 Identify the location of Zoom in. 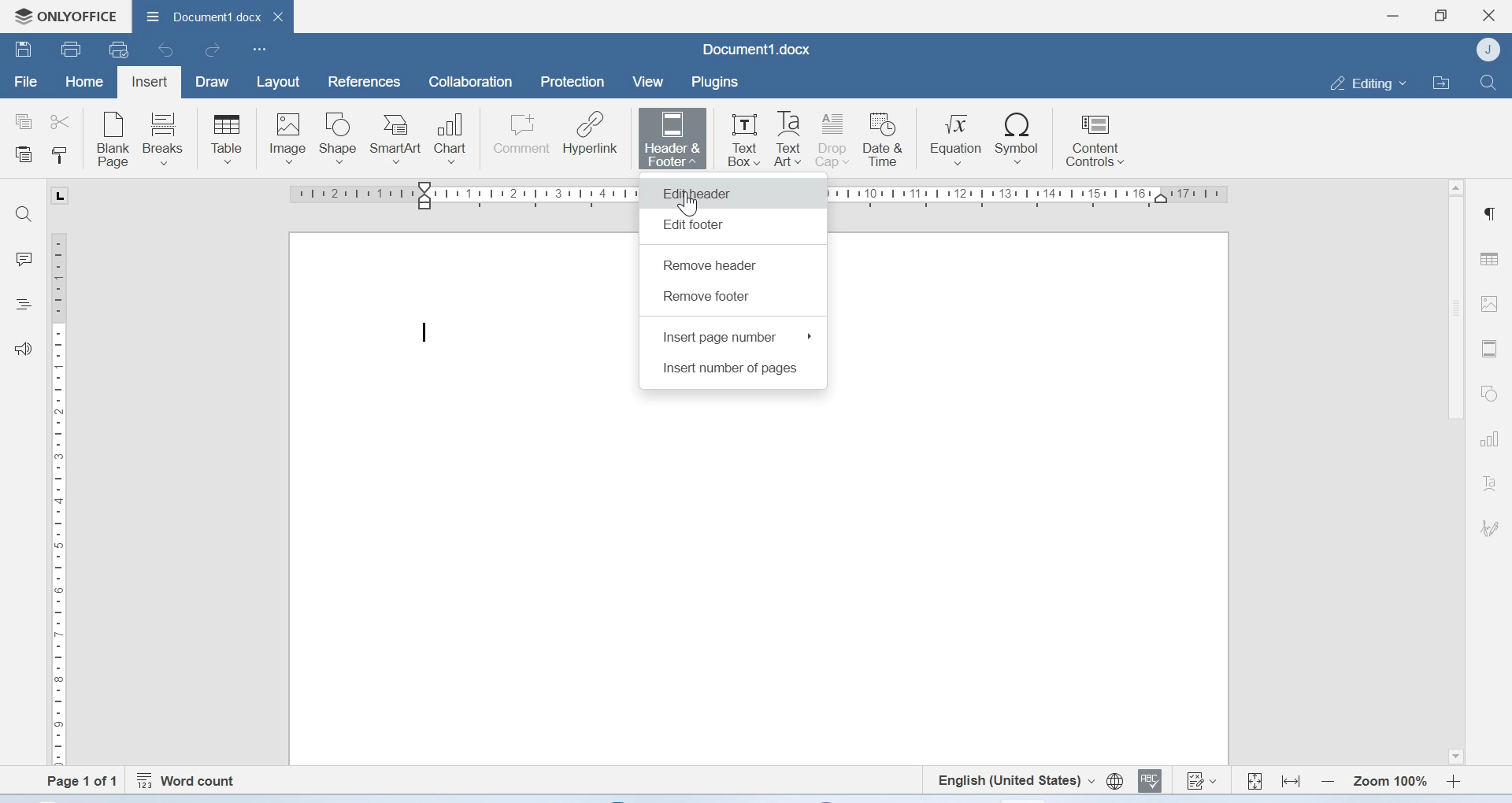
(1454, 779).